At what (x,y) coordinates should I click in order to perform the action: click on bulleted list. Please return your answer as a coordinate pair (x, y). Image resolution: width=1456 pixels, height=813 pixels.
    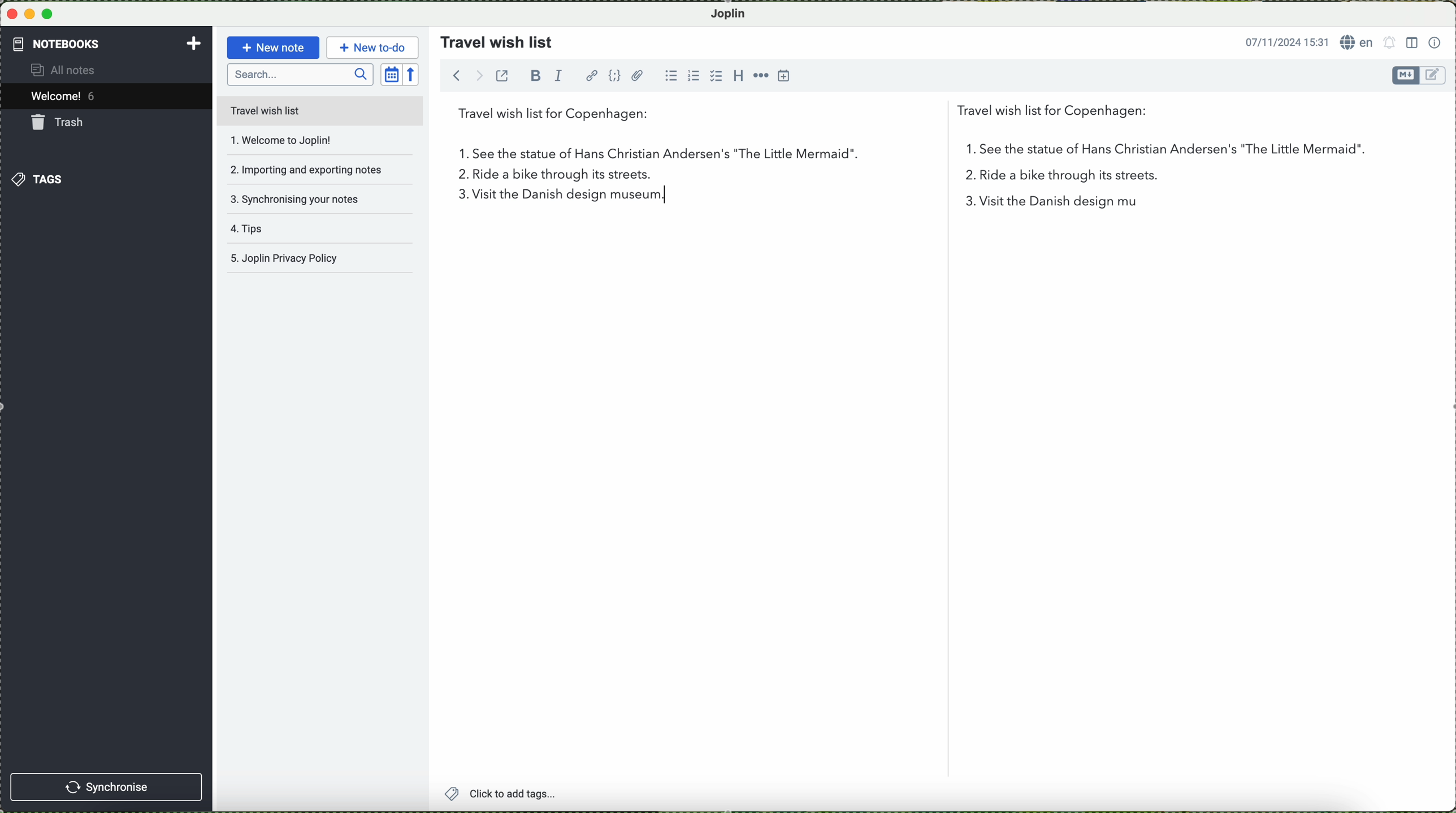
    Looking at the image, I should click on (674, 76).